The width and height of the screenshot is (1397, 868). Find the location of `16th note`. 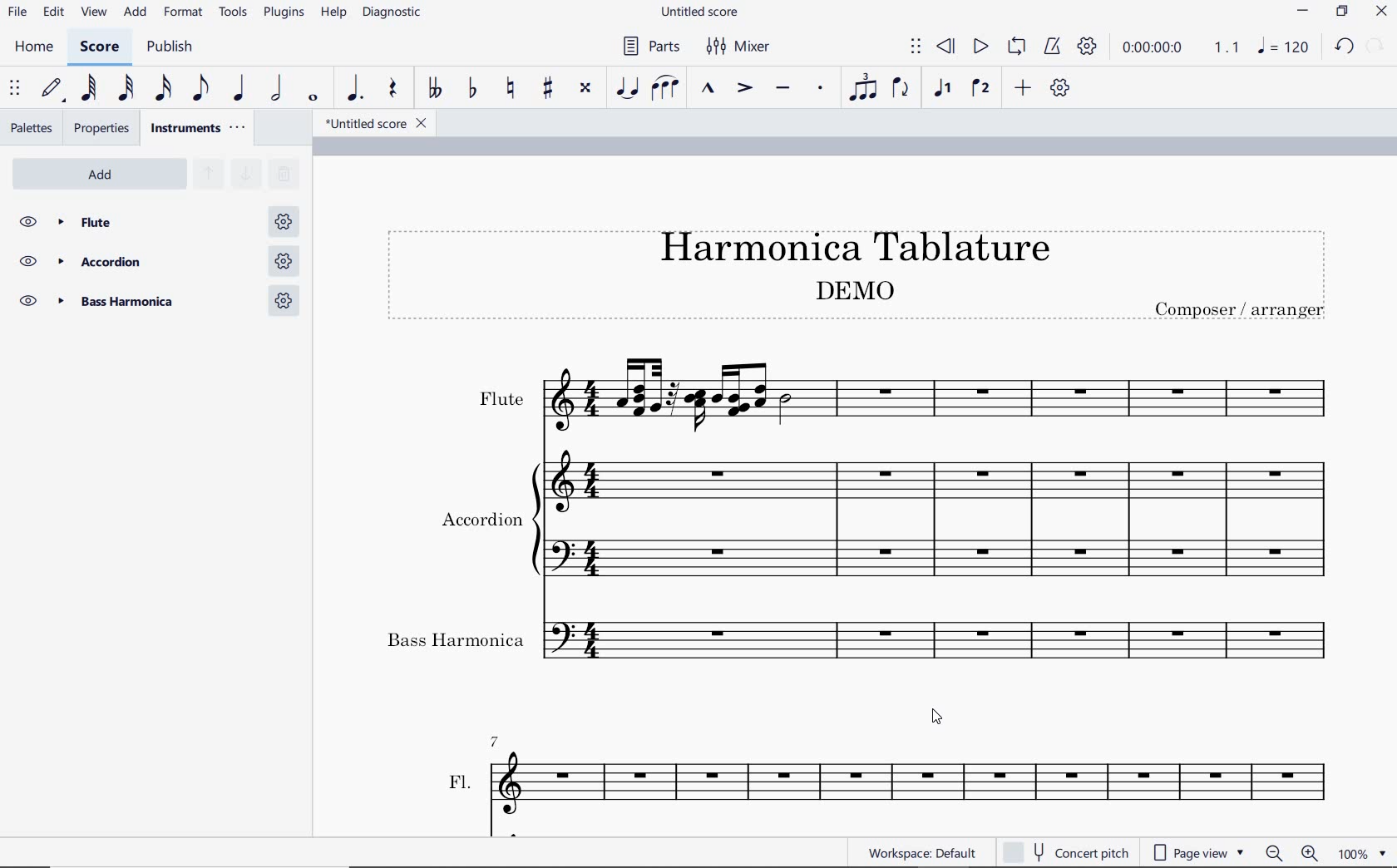

16th note is located at coordinates (164, 88).